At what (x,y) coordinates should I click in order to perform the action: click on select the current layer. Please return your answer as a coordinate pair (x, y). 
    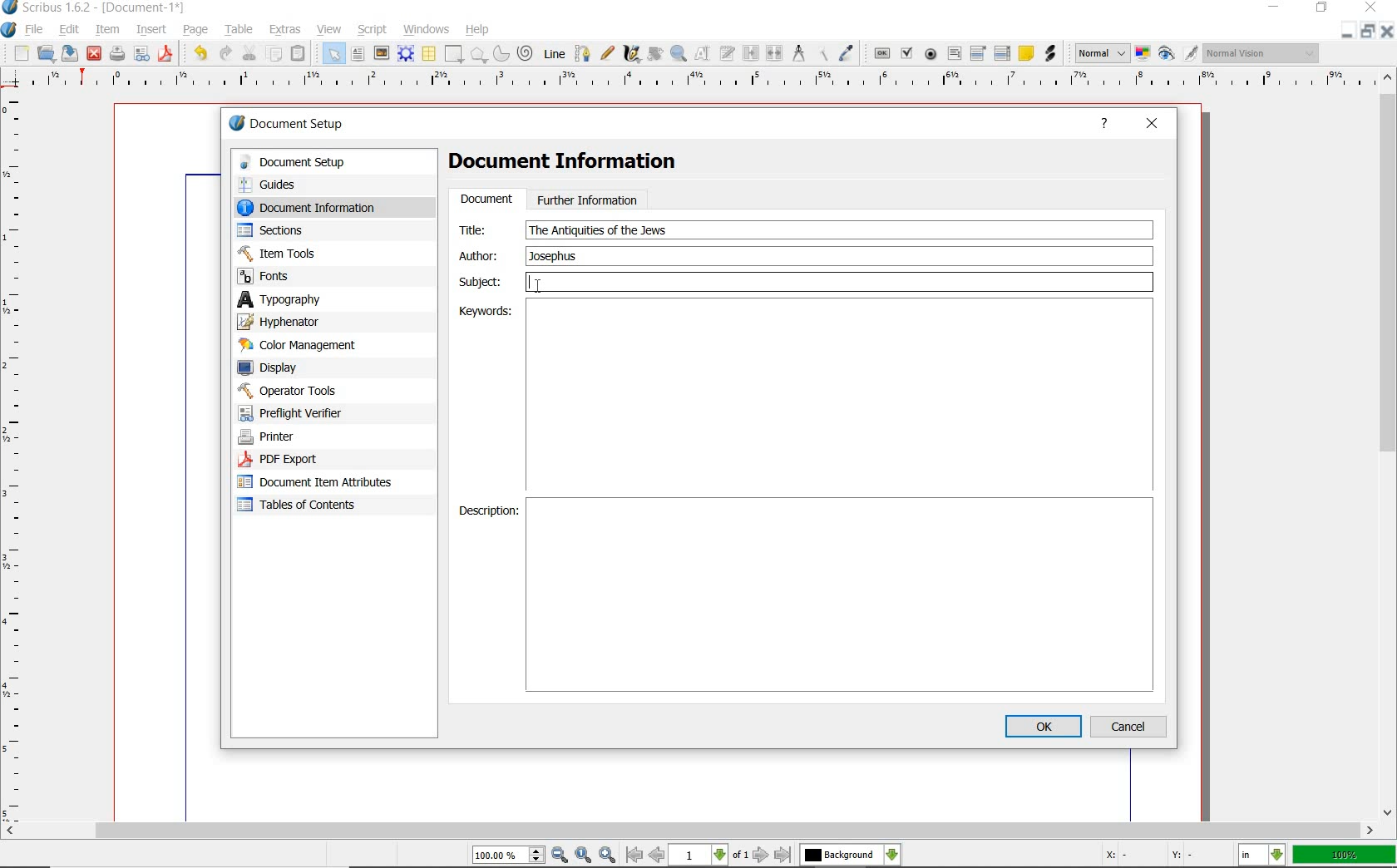
    Looking at the image, I should click on (851, 855).